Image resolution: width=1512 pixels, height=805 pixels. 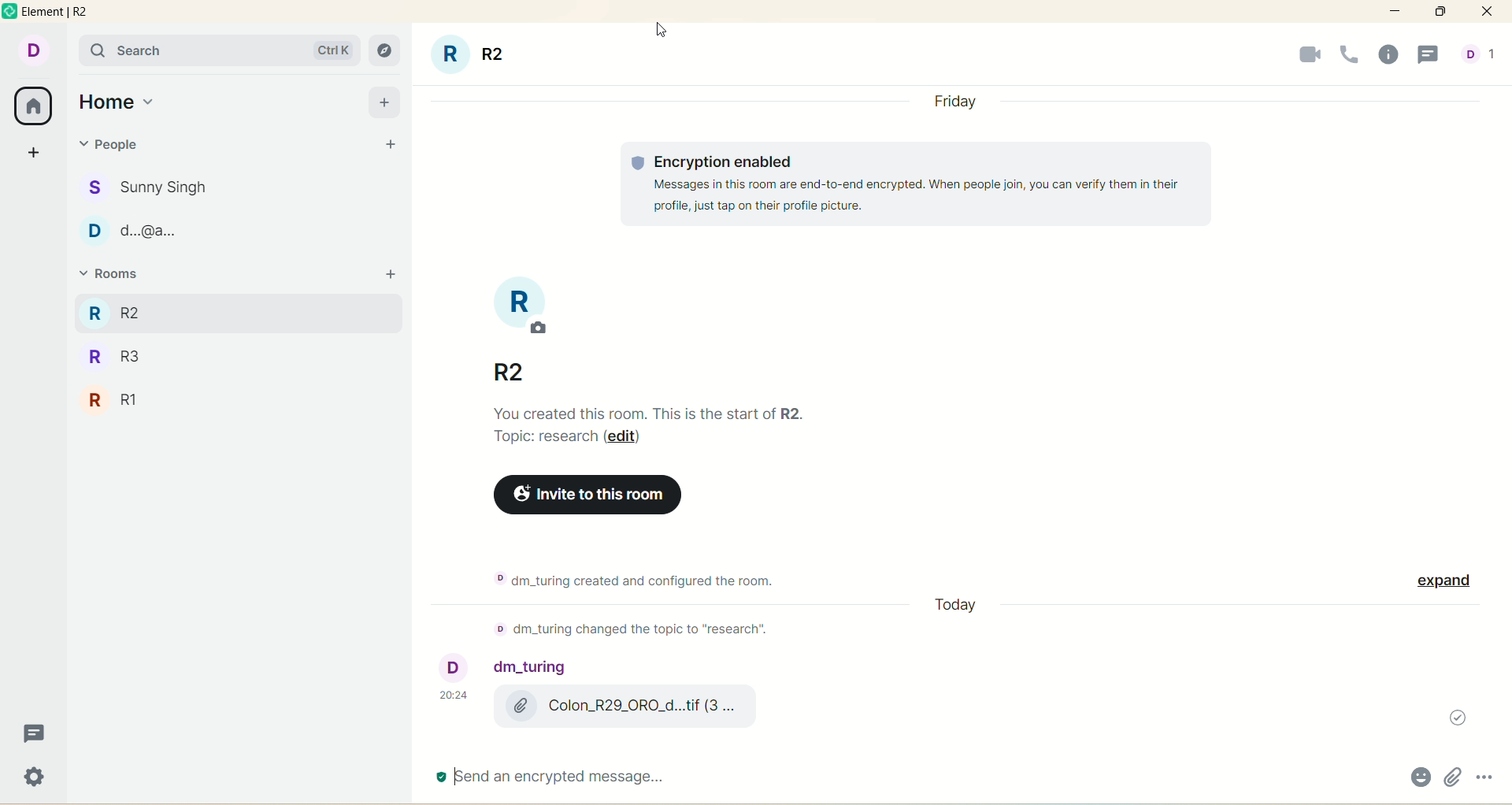 I want to click on poeple, so click(x=146, y=234).